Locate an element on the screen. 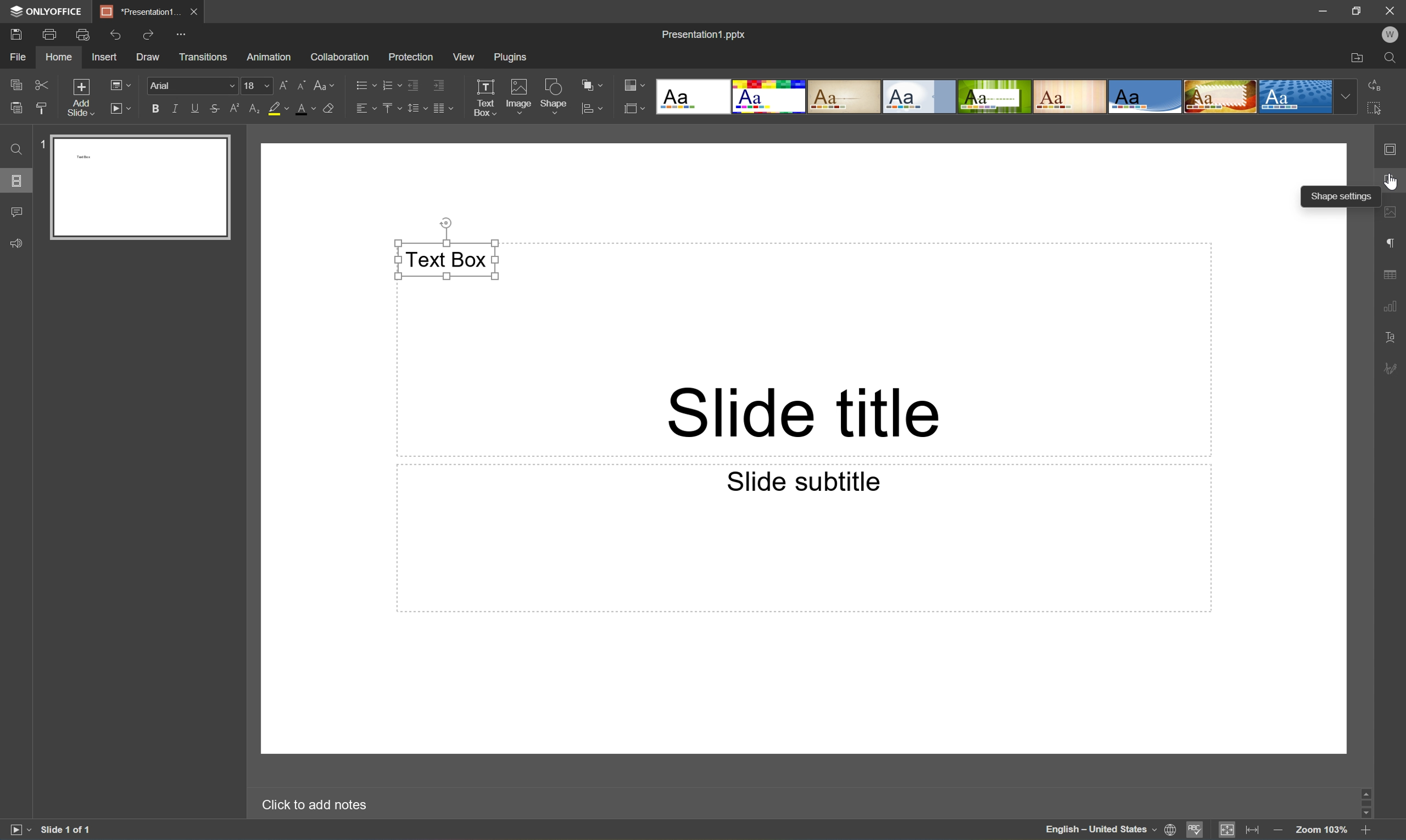 This screenshot has height=840, width=1406. Slide settings is located at coordinates (1395, 150).